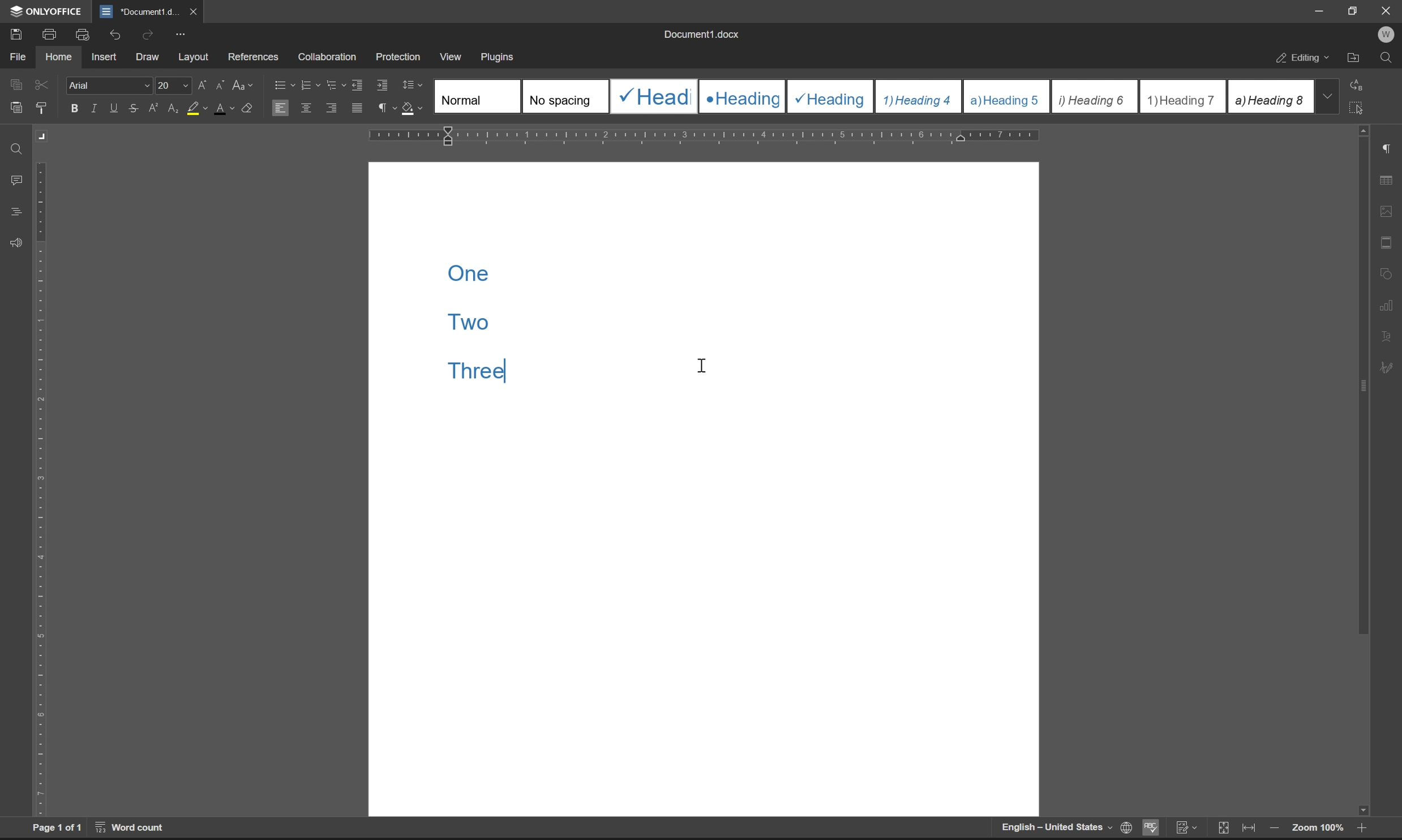  I want to click on customize quick access toolbar, so click(180, 35).